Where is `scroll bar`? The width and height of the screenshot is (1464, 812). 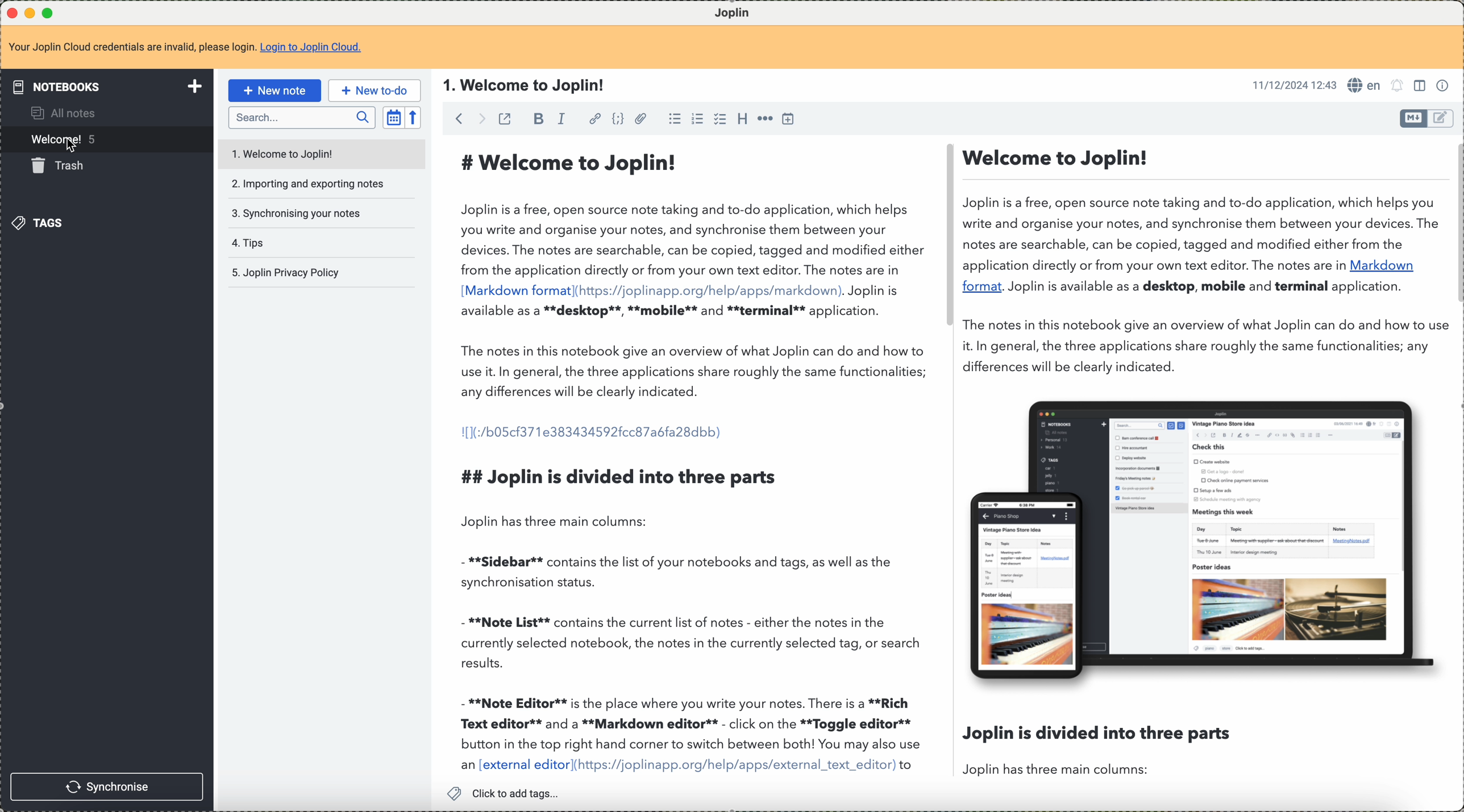
scroll bar is located at coordinates (1455, 225).